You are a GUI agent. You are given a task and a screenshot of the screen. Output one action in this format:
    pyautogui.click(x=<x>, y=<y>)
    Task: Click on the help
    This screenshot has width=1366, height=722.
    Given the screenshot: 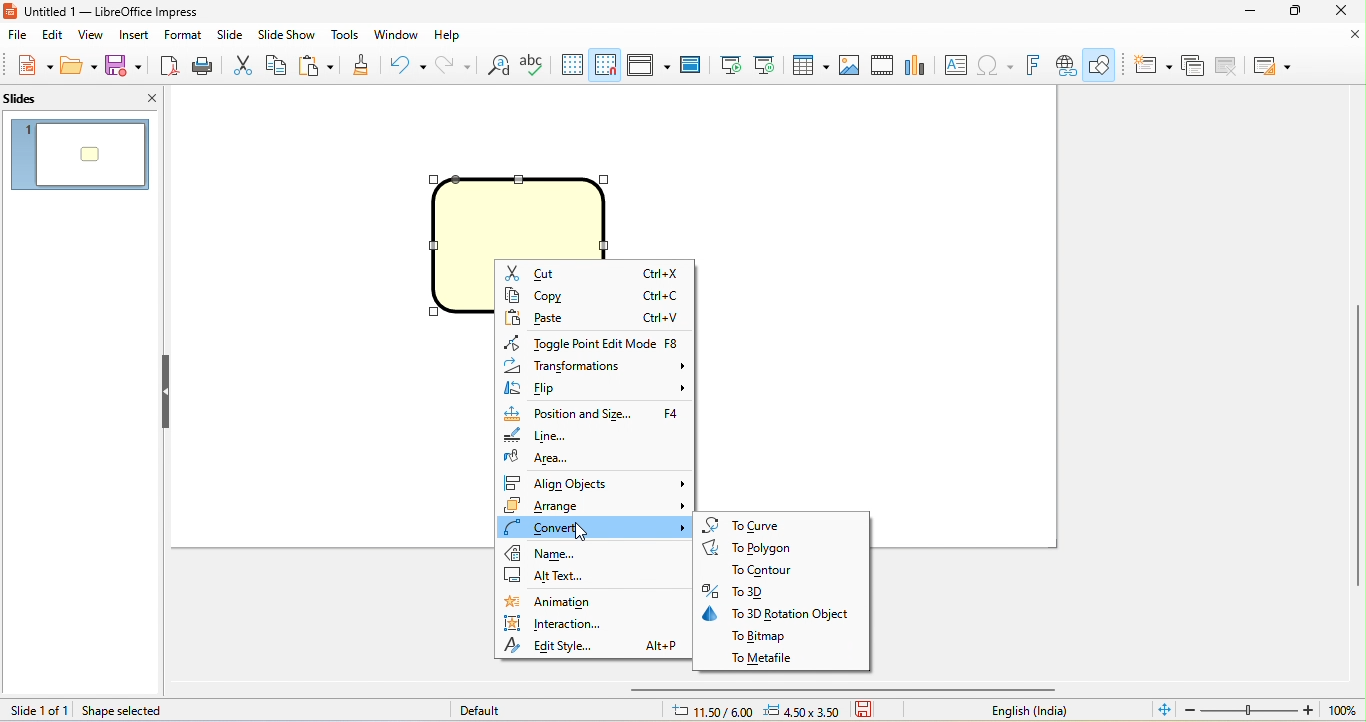 What is the action you would take?
    pyautogui.click(x=452, y=37)
    